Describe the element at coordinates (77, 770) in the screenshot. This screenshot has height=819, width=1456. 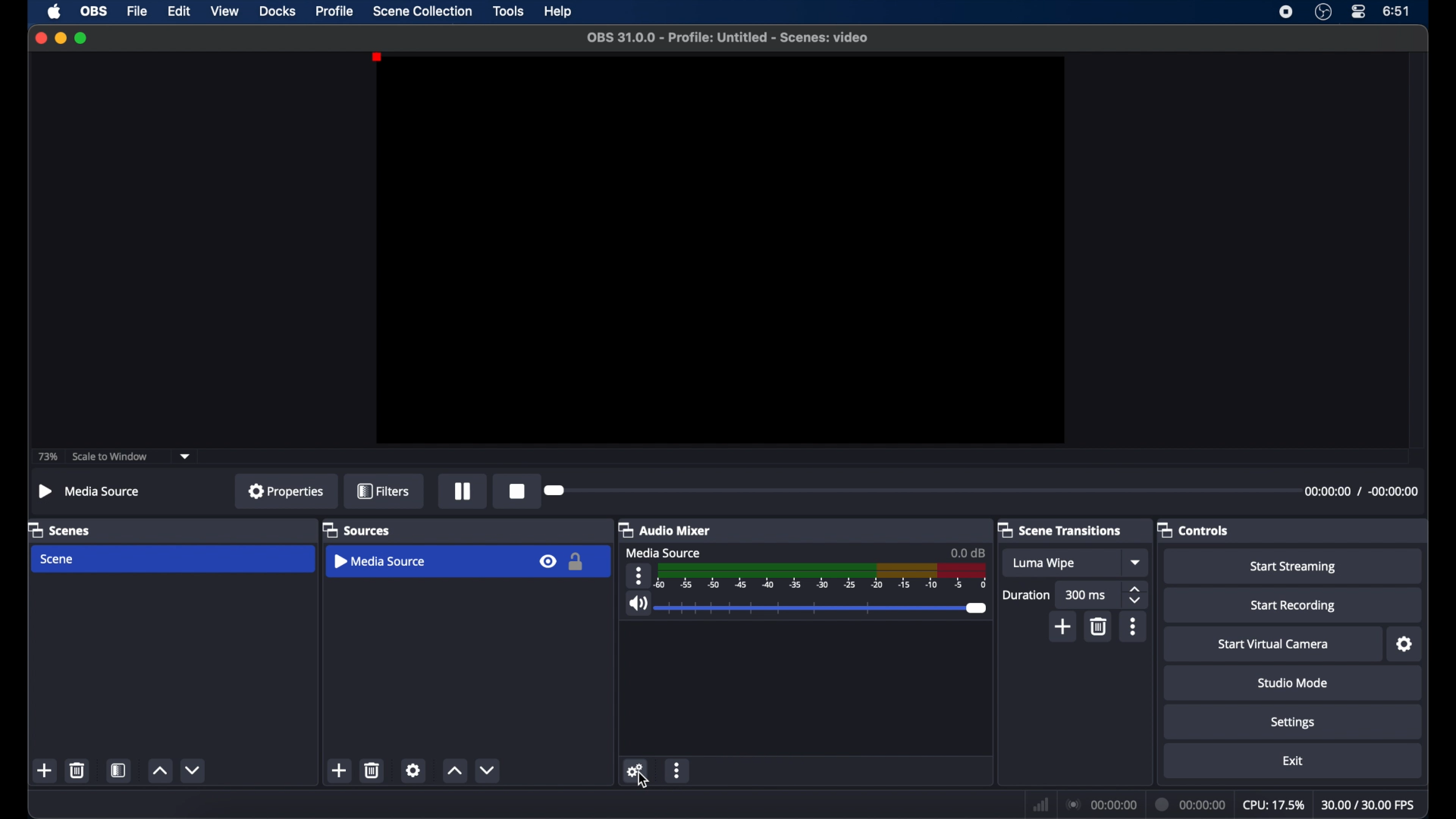
I see `delete` at that location.